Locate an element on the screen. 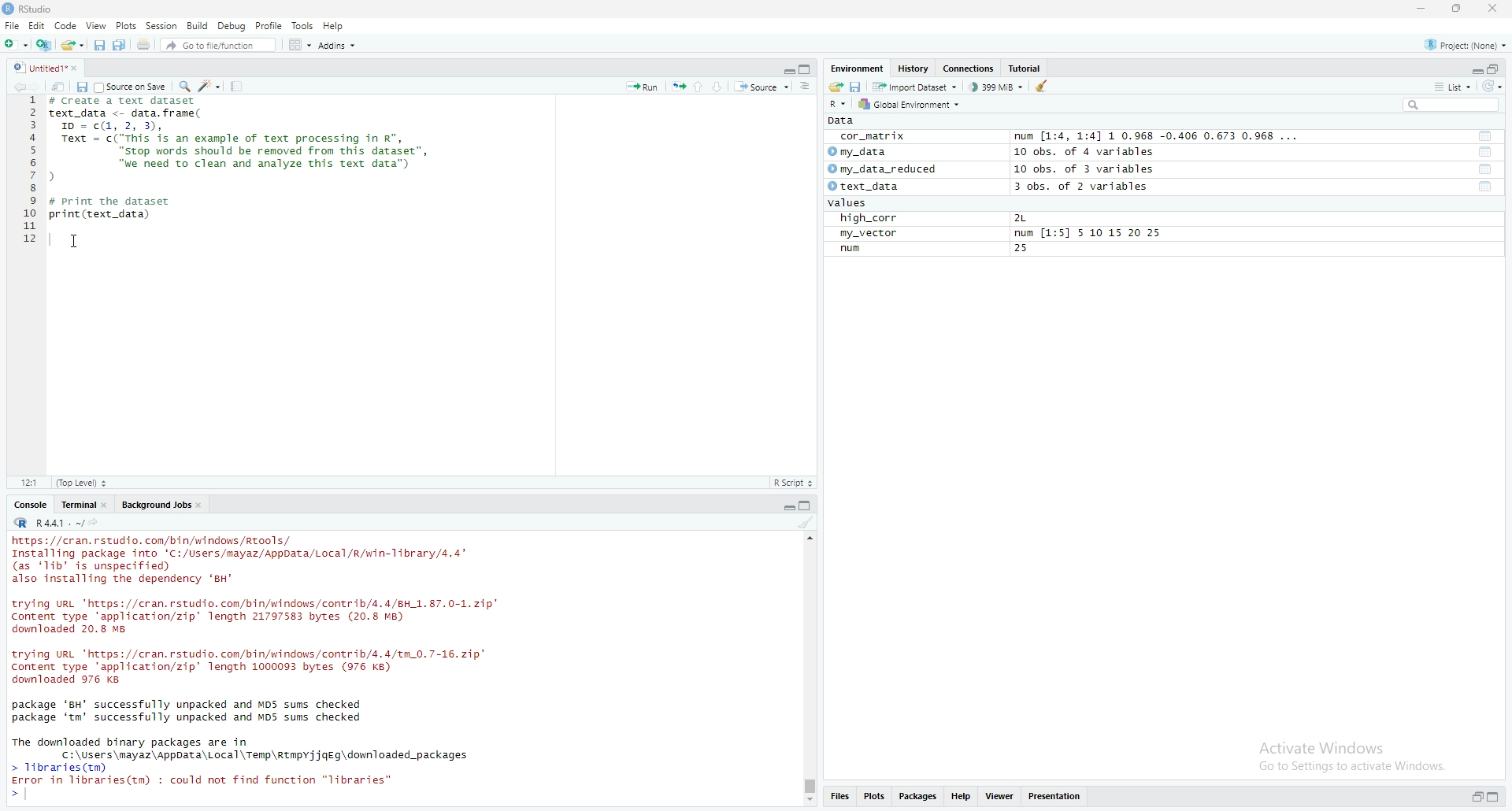 The width and height of the screenshot is (1512, 811). compile report is located at coordinates (239, 85).